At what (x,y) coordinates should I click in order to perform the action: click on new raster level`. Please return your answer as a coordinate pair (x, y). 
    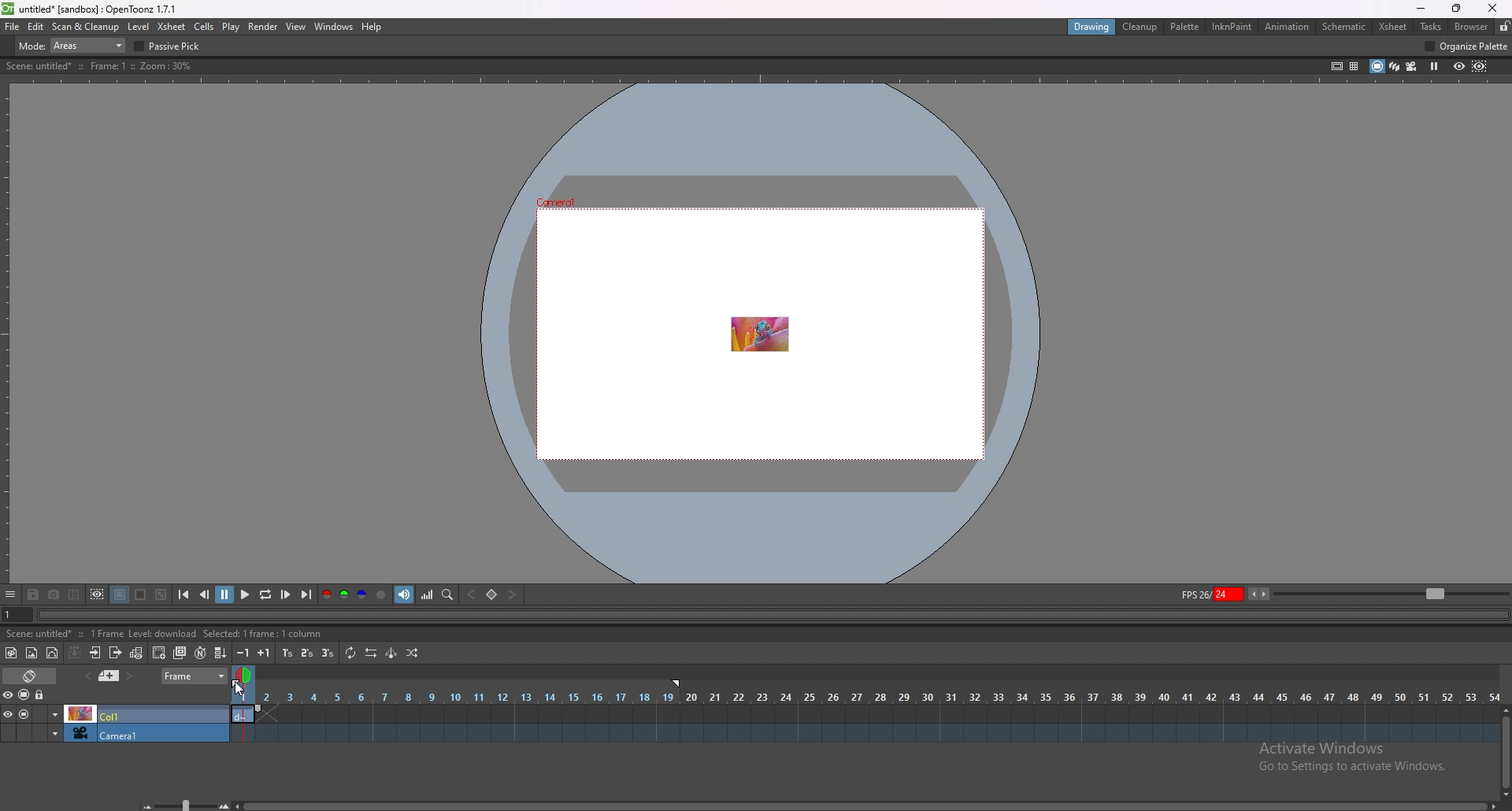
    Looking at the image, I should click on (31, 653).